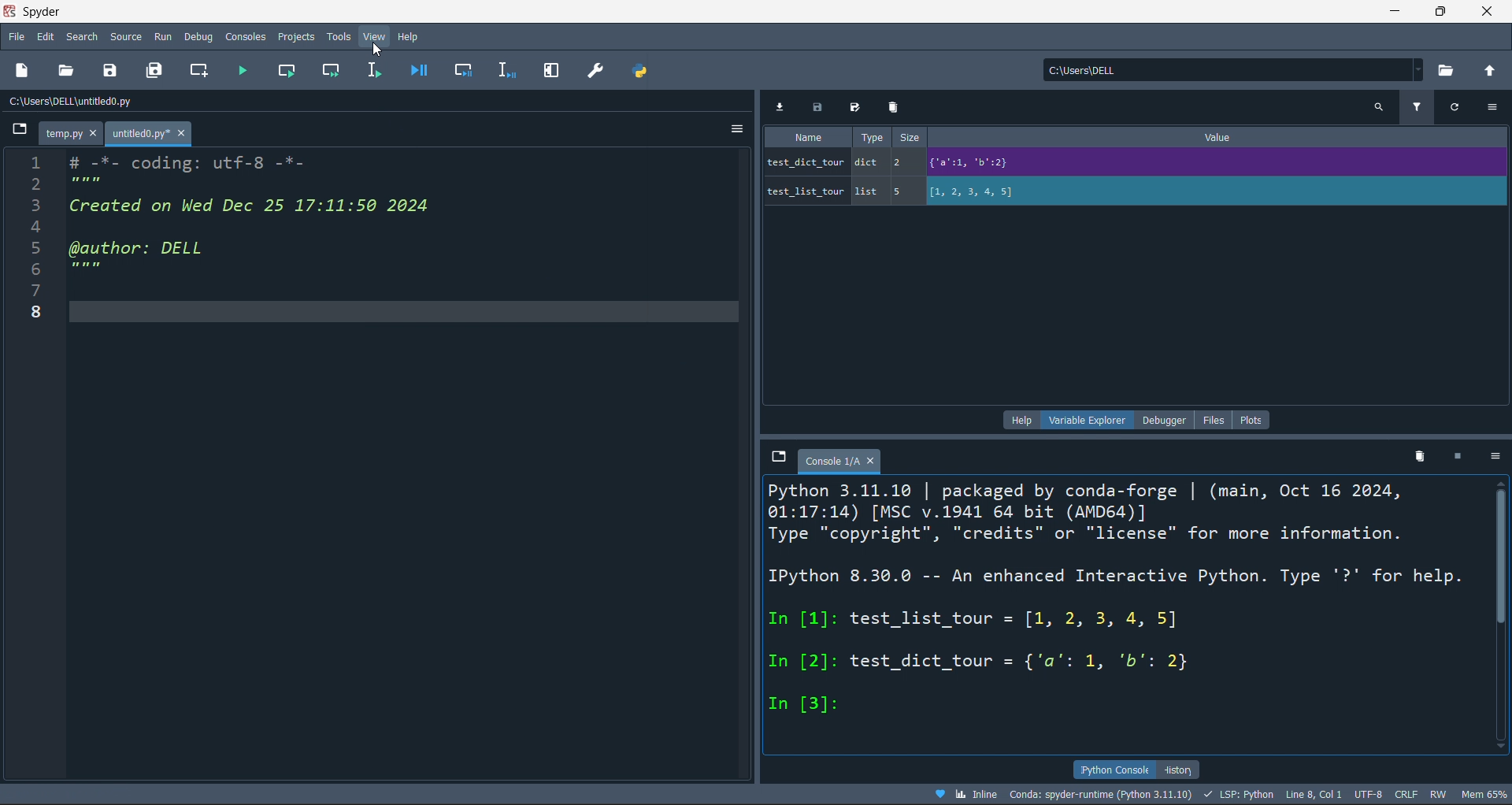  Describe the element at coordinates (778, 461) in the screenshot. I see `browse tabs` at that location.